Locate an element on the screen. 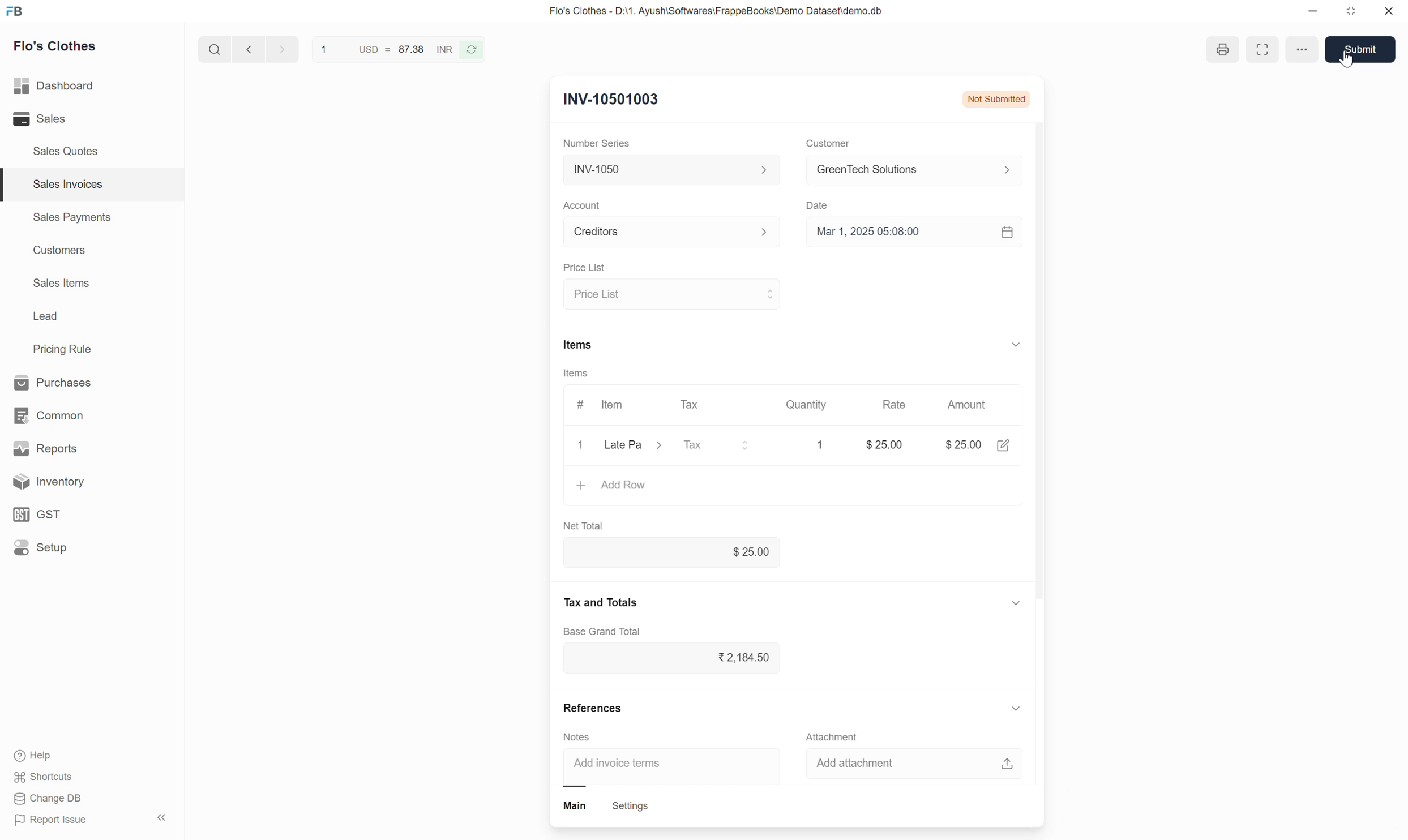 This screenshot has height=840, width=1408. full screen is located at coordinates (1260, 52).